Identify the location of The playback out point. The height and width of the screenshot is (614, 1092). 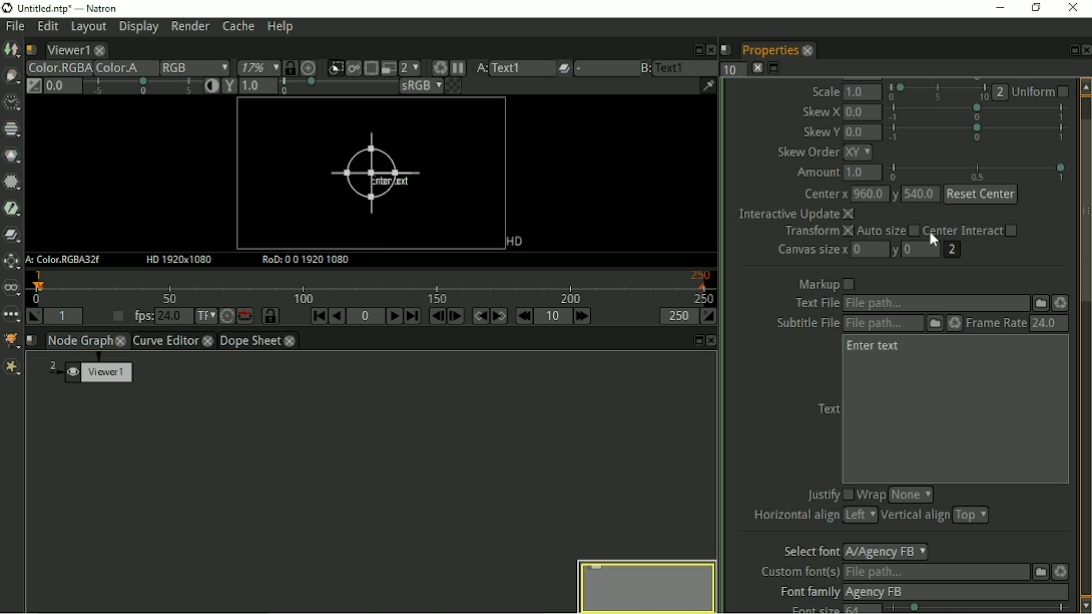
(678, 316).